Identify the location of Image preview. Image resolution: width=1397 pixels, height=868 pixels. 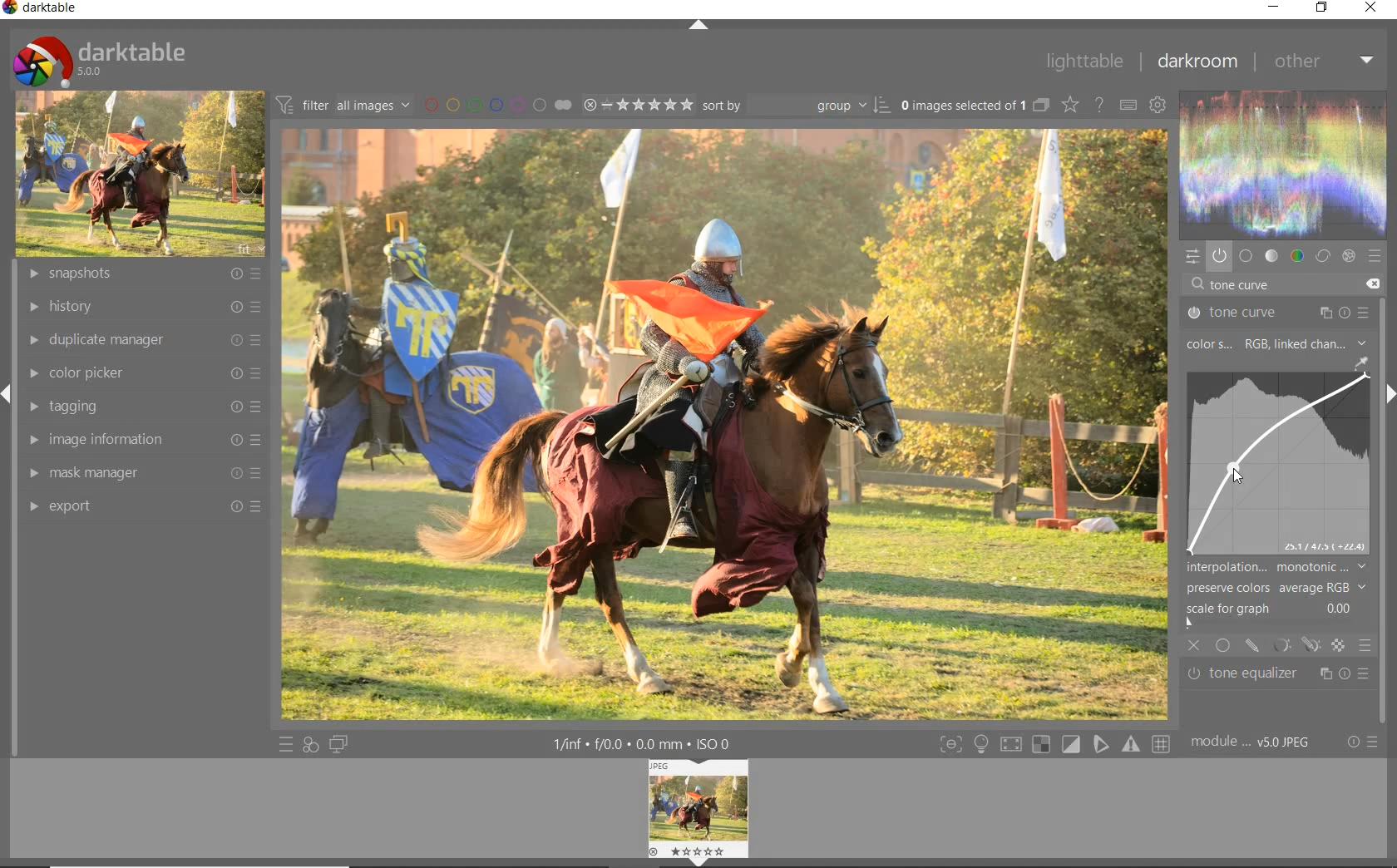
(701, 810).